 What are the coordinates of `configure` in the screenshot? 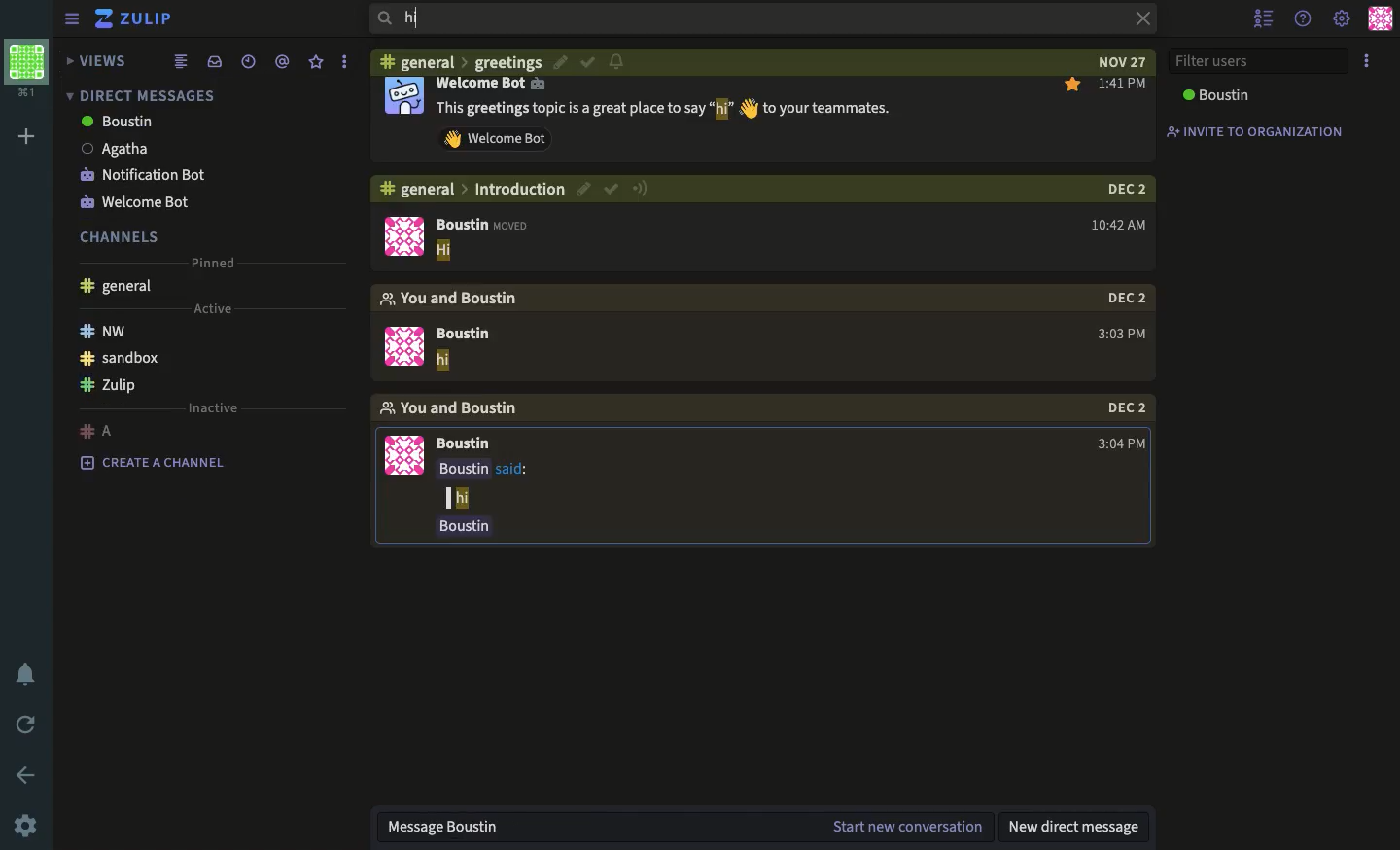 It's located at (617, 62).